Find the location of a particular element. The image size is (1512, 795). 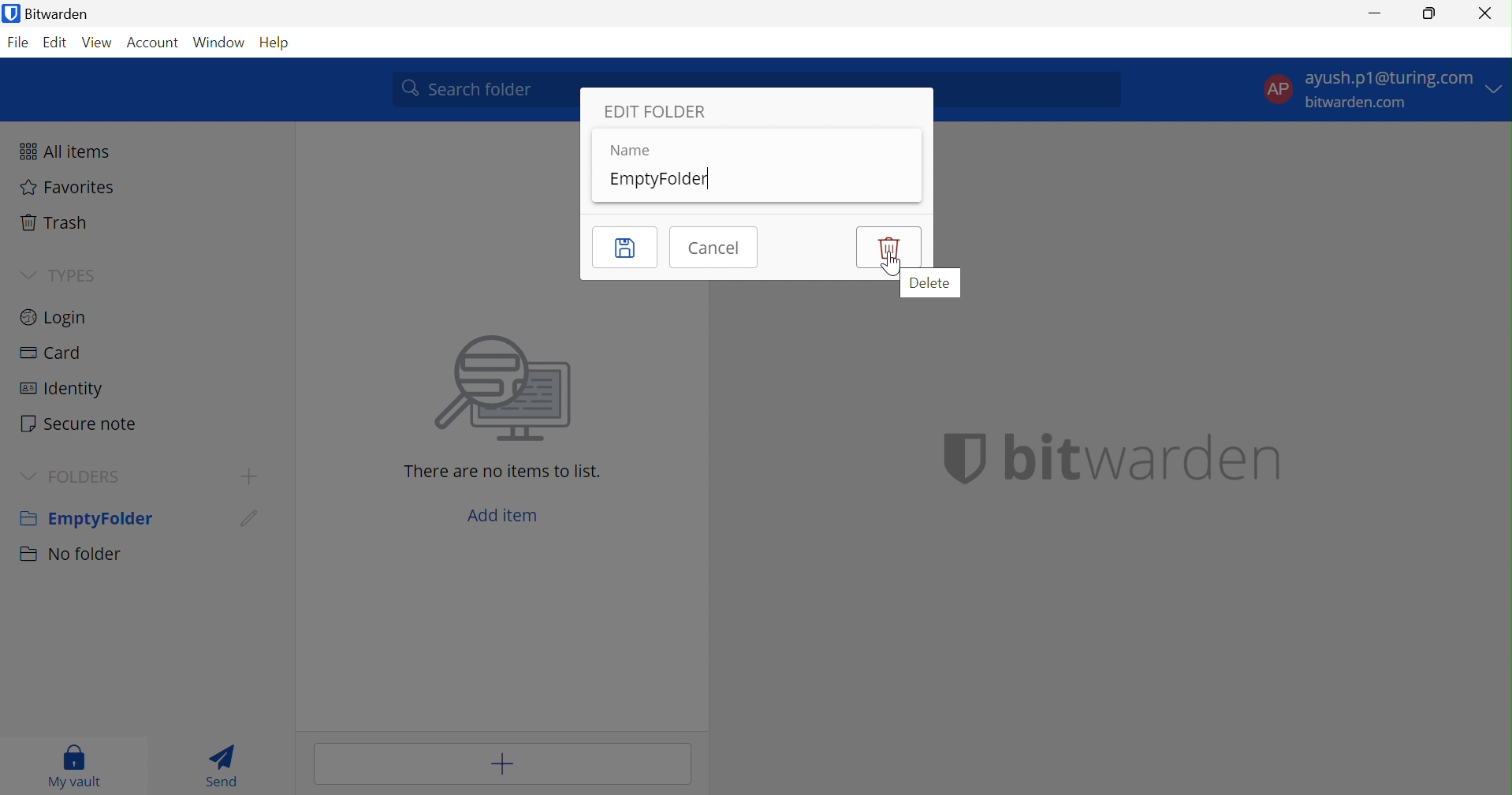

Send is located at coordinates (229, 765).